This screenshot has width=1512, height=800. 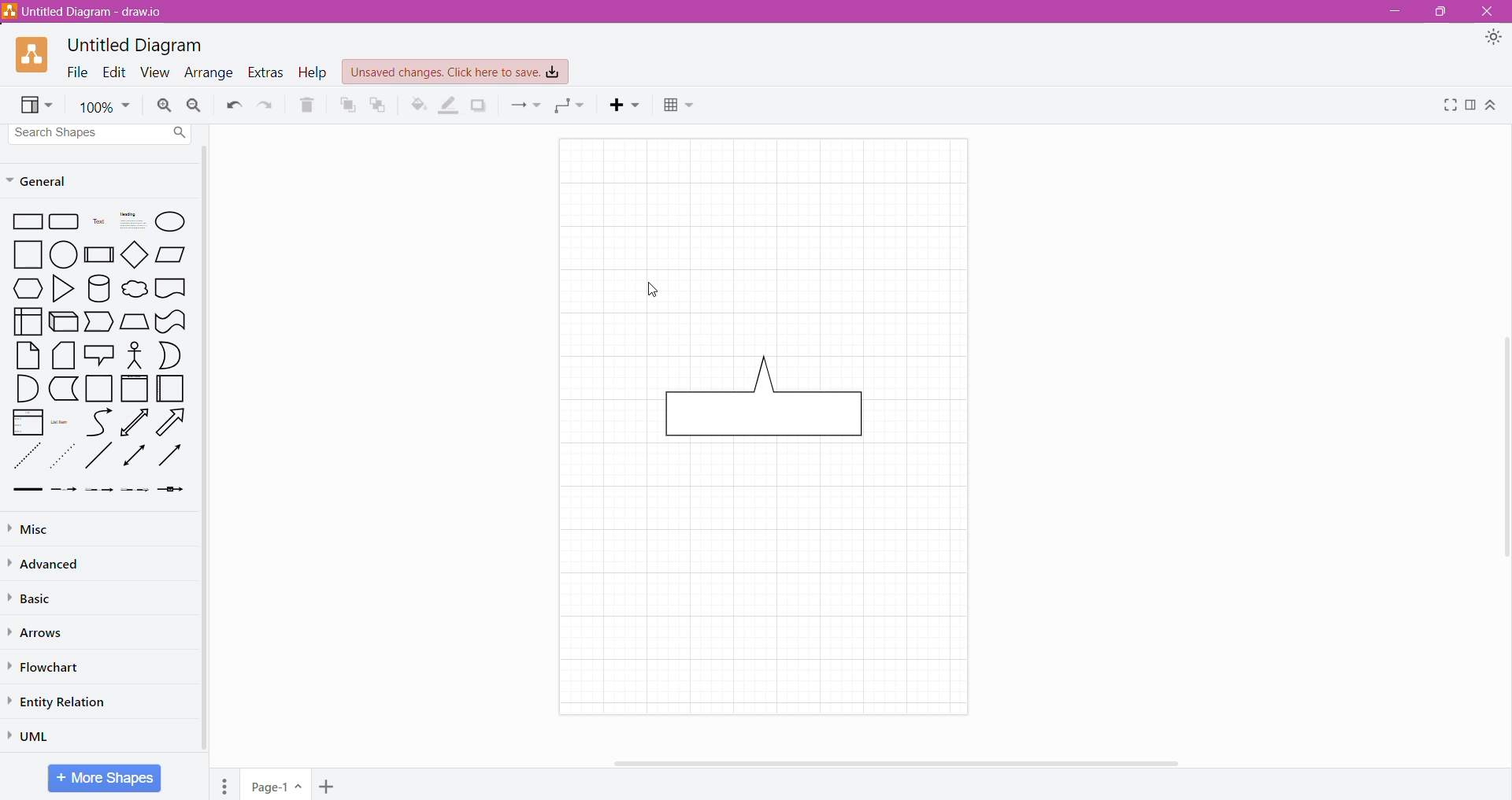 What do you see at coordinates (62, 389) in the screenshot?
I see `L-Shaped Rectangle` at bounding box center [62, 389].